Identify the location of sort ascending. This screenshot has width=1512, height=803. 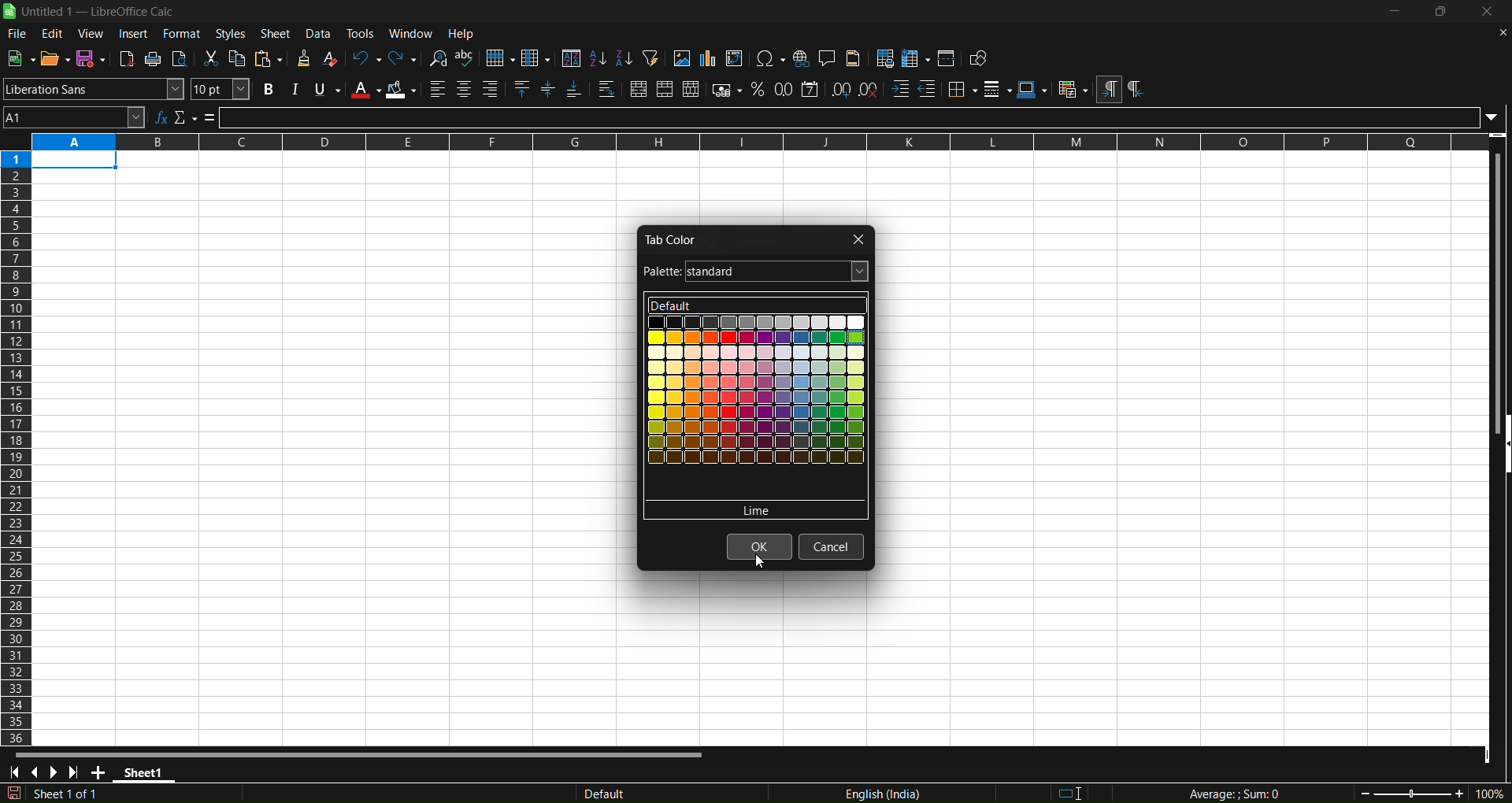
(597, 57).